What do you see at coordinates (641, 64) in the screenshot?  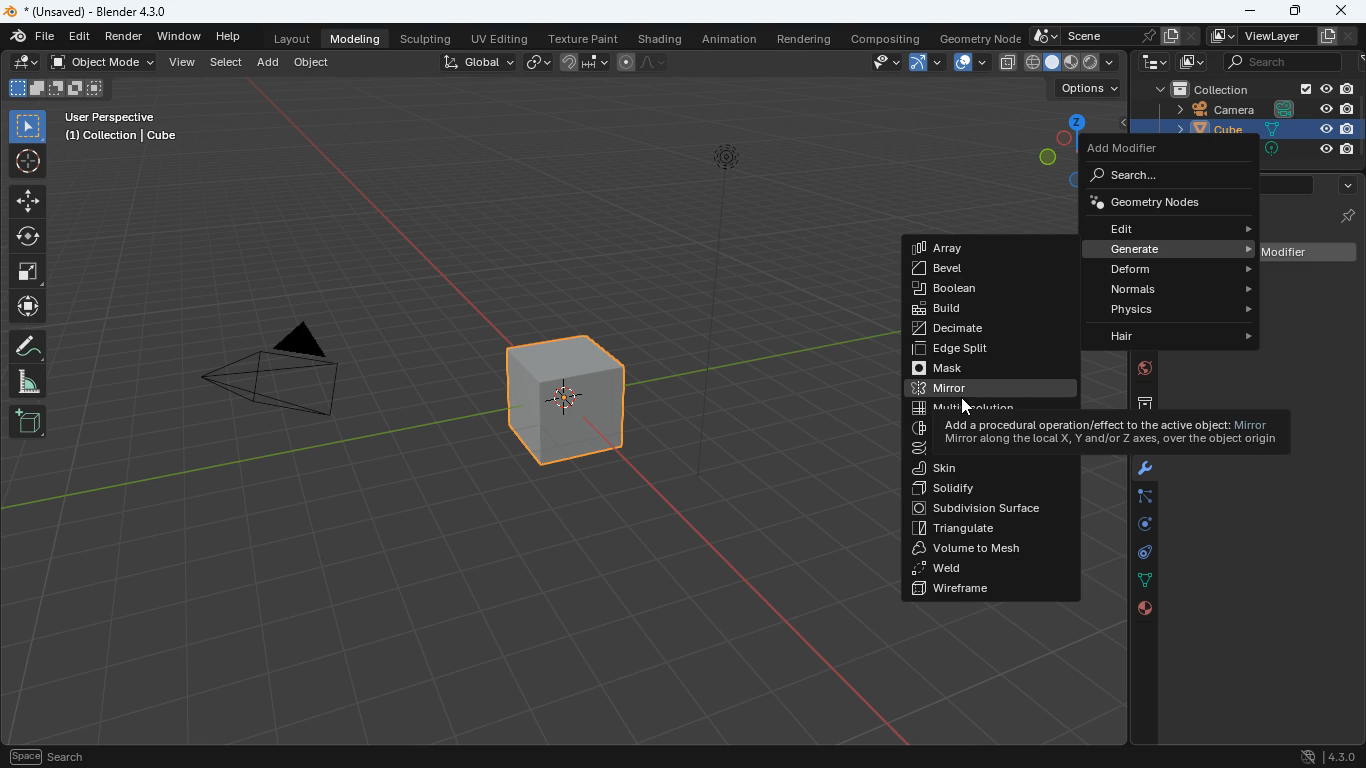 I see `line` at bounding box center [641, 64].